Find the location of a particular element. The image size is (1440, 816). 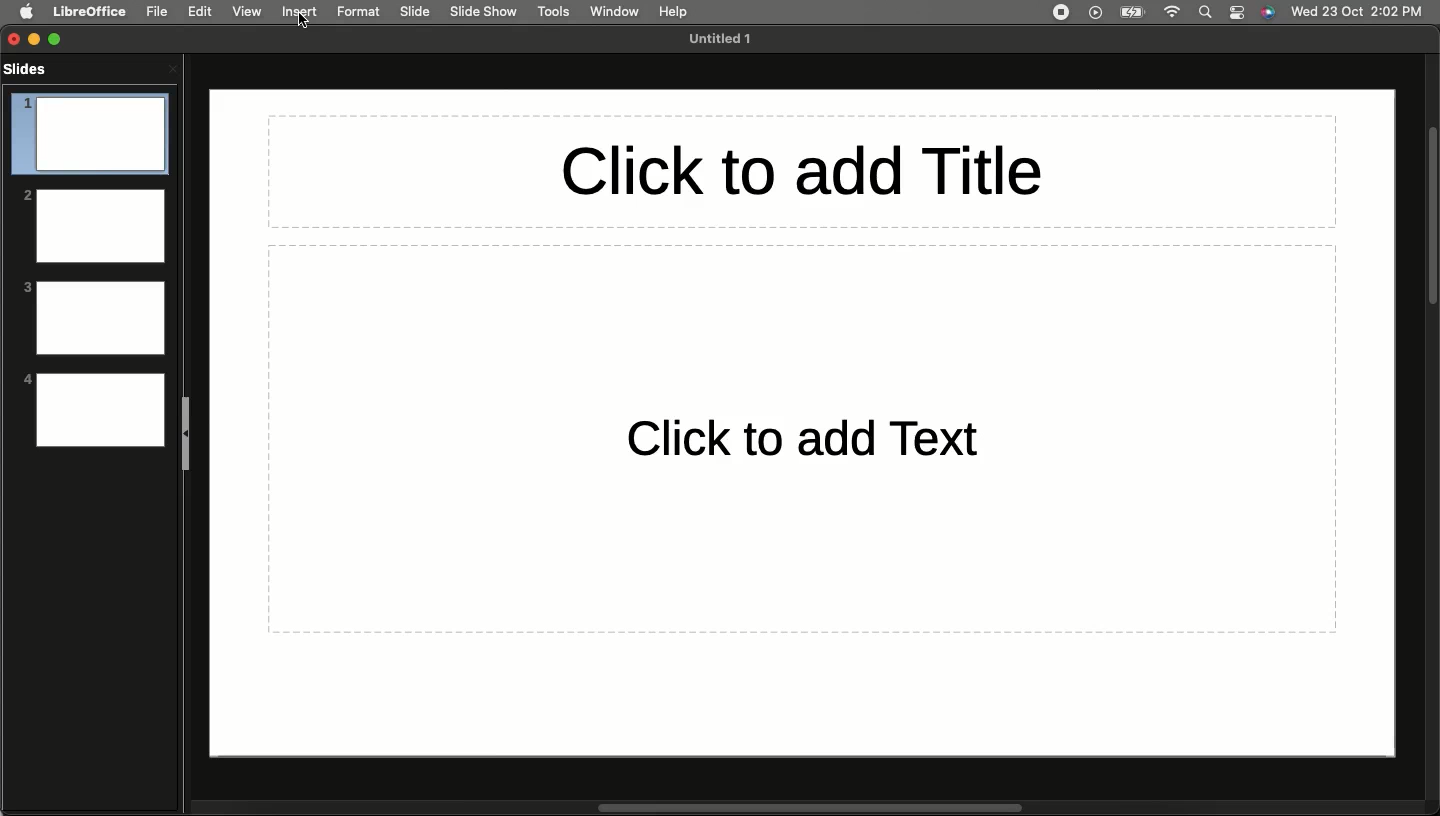

Search is located at coordinates (1206, 12).